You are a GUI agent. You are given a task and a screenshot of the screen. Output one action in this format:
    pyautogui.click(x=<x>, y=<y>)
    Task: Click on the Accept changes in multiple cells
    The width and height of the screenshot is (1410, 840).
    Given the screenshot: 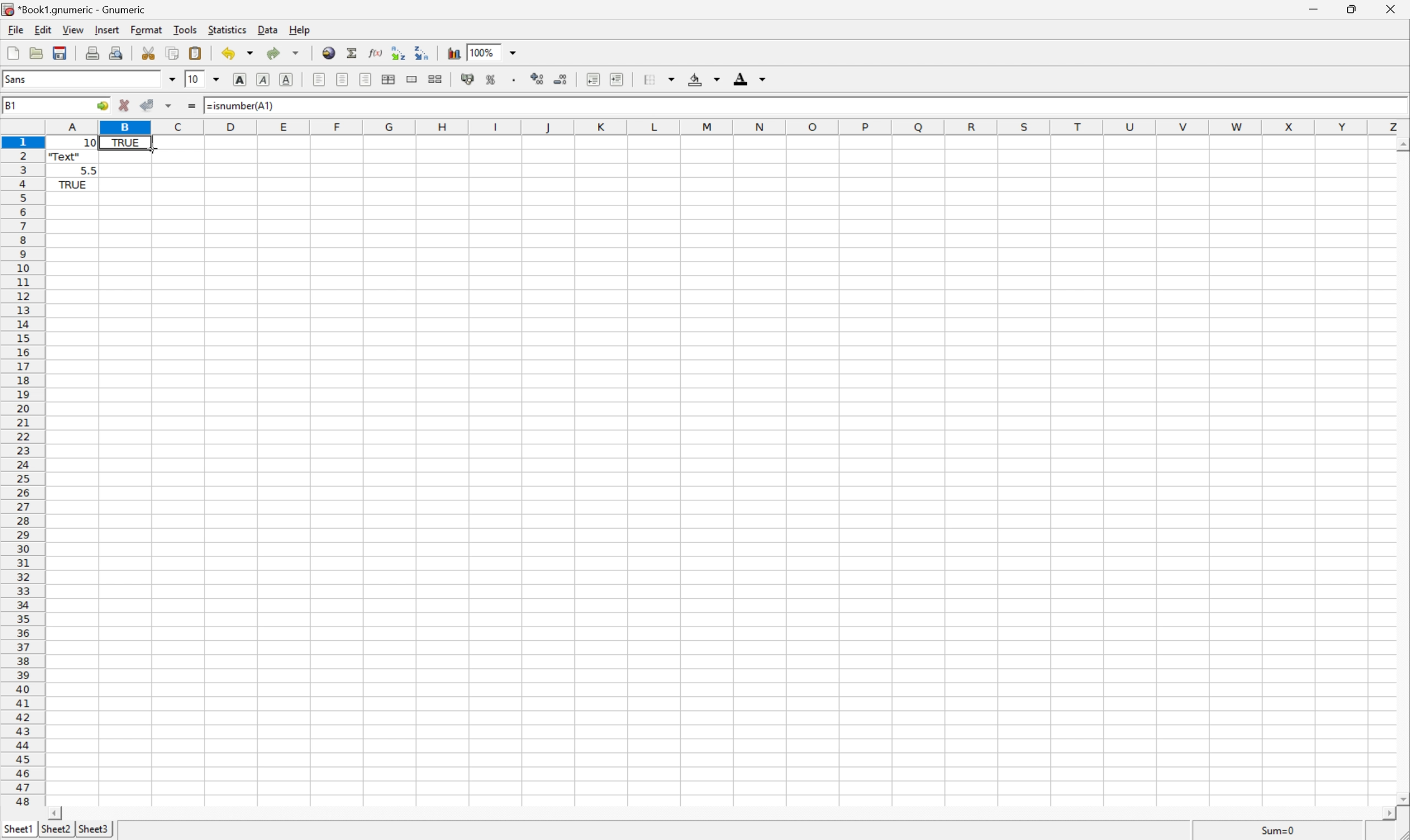 What is the action you would take?
    pyautogui.click(x=168, y=106)
    